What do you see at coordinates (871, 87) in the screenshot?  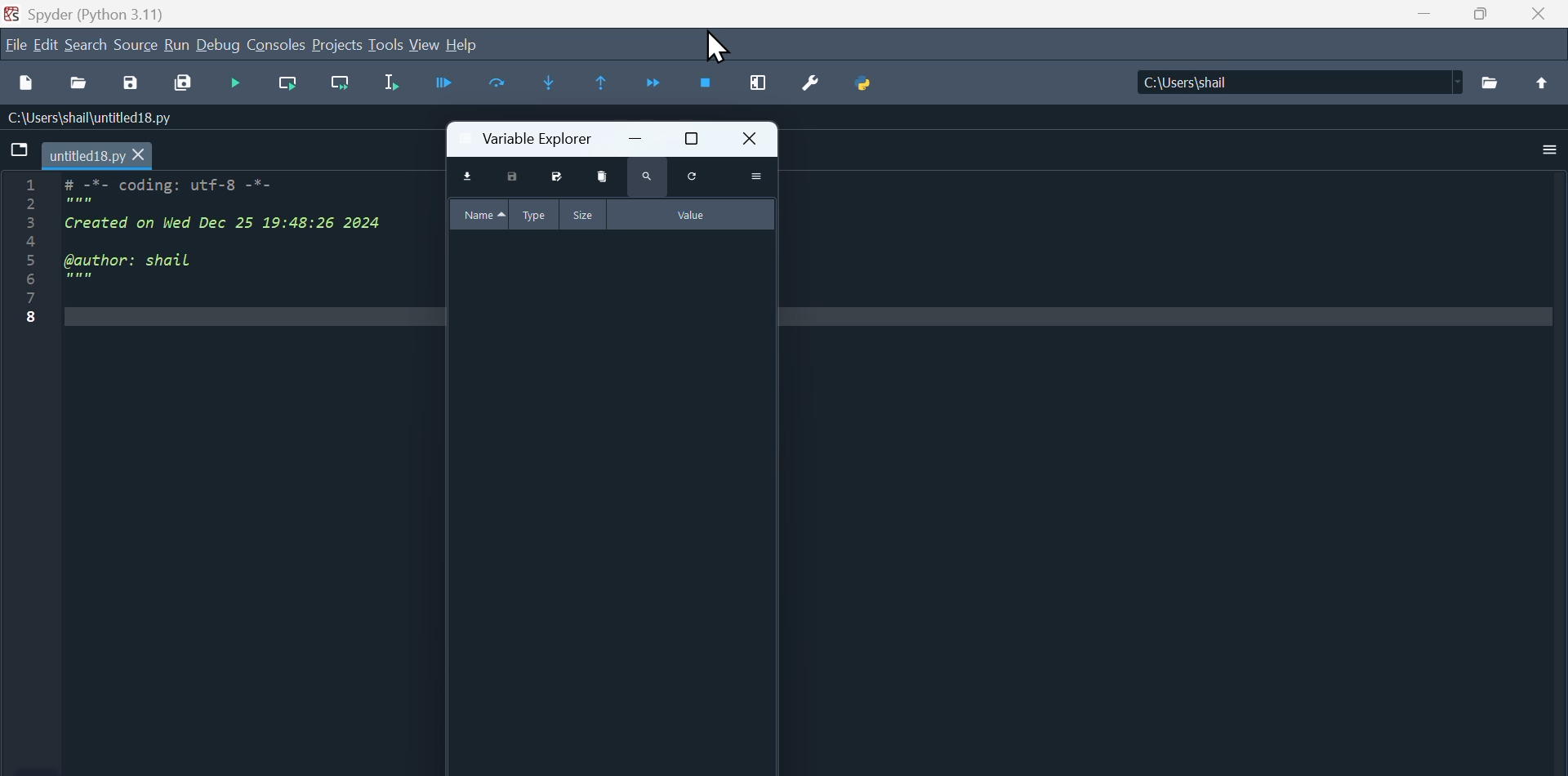 I see `Python PathManager` at bounding box center [871, 87].